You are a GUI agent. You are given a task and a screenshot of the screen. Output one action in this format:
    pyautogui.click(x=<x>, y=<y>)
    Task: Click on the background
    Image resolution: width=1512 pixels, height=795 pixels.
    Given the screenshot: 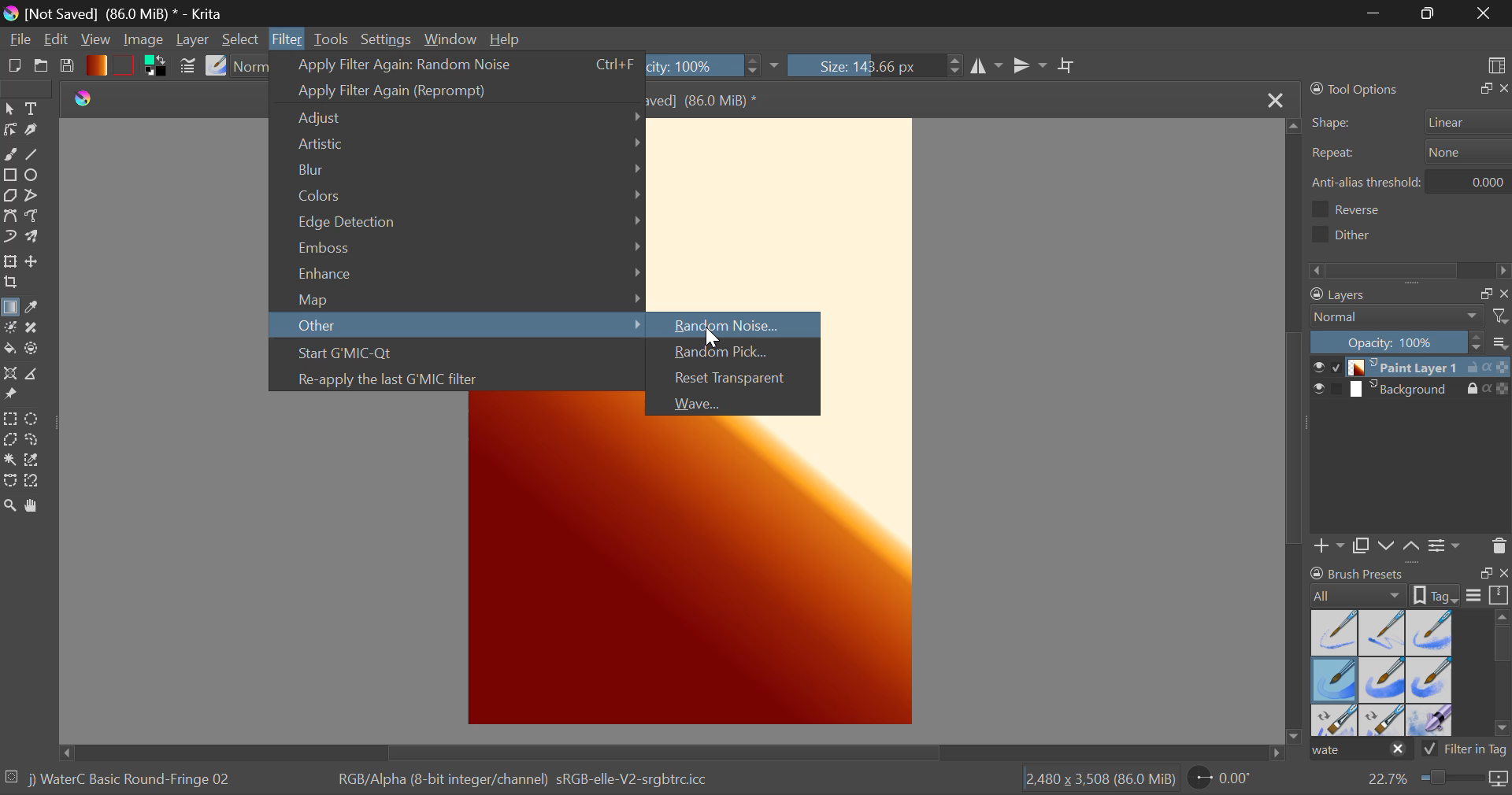 What is the action you would take?
    pyautogui.click(x=1407, y=390)
    